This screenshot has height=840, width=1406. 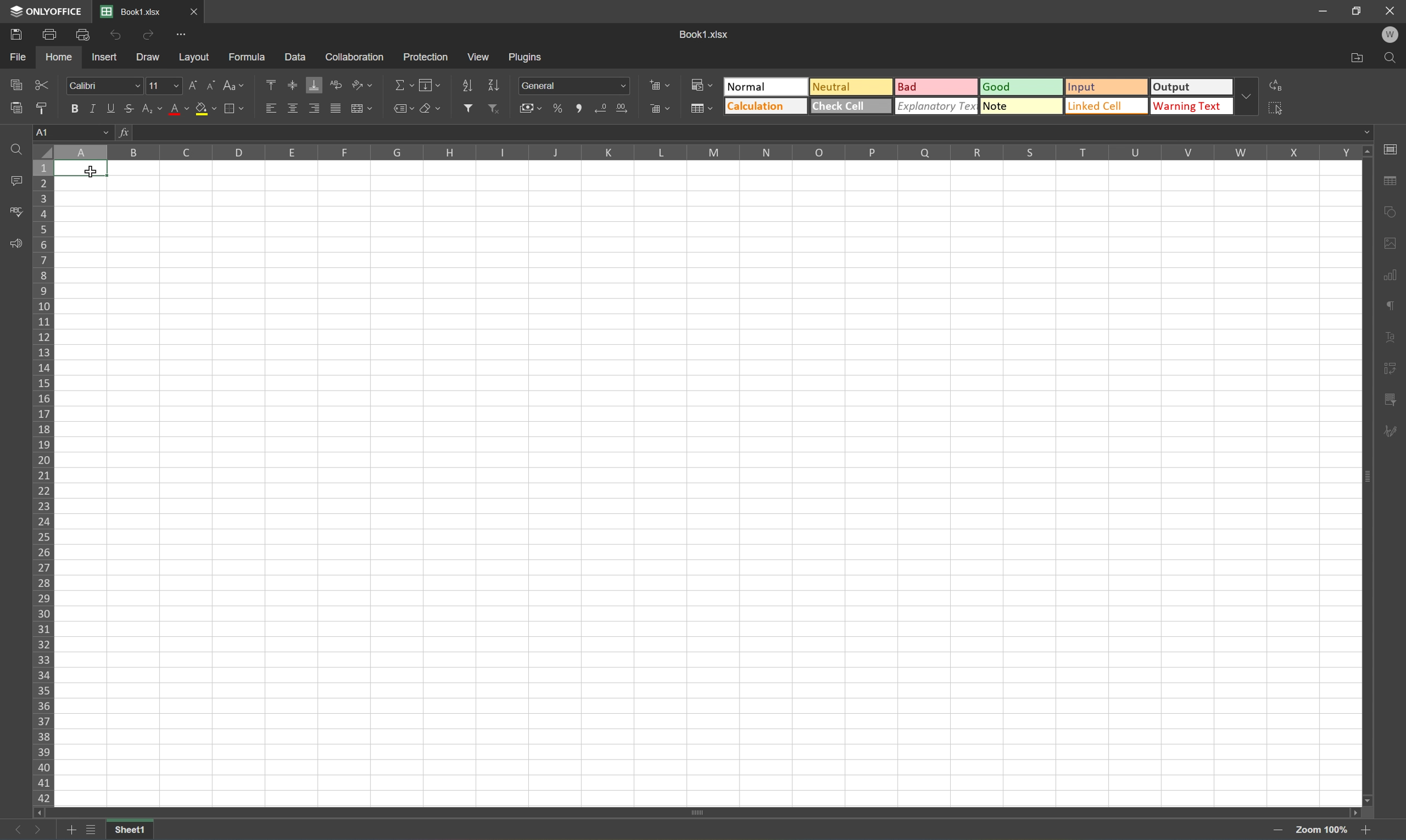 I want to click on Font, so click(x=104, y=85).